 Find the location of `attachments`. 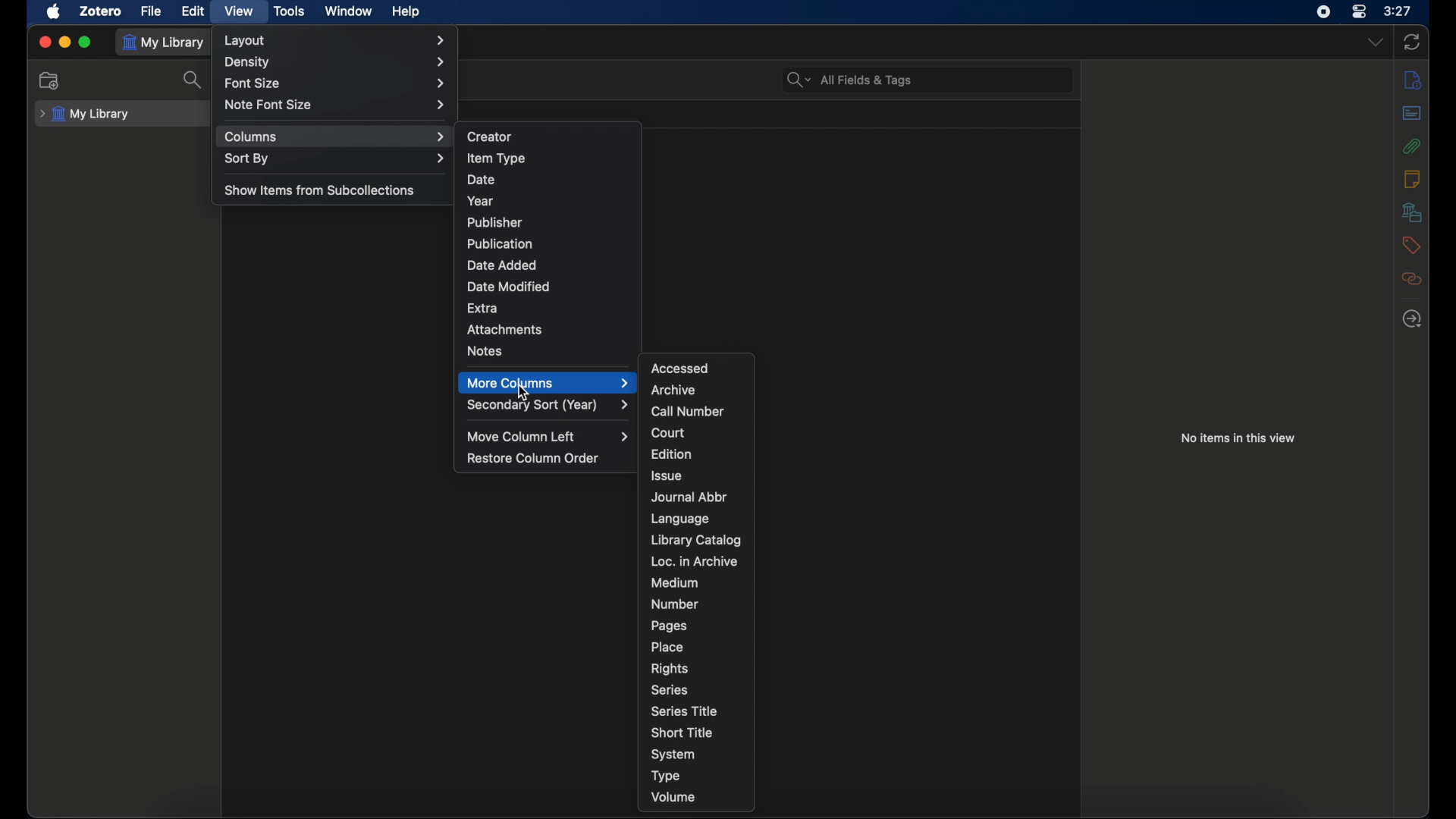

attachments is located at coordinates (1410, 146).